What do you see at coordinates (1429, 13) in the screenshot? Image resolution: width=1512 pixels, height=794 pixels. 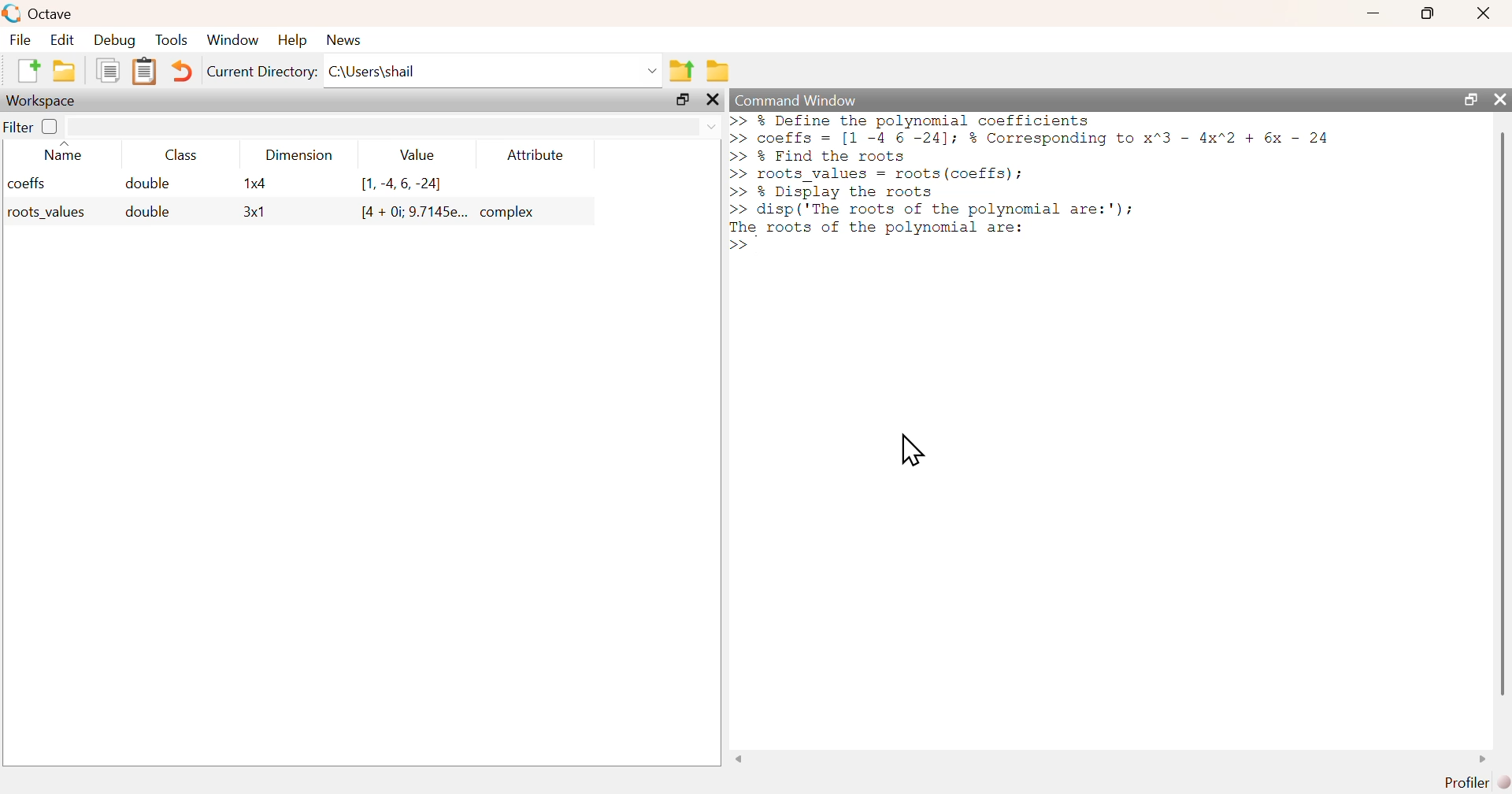 I see `maximize` at bounding box center [1429, 13].